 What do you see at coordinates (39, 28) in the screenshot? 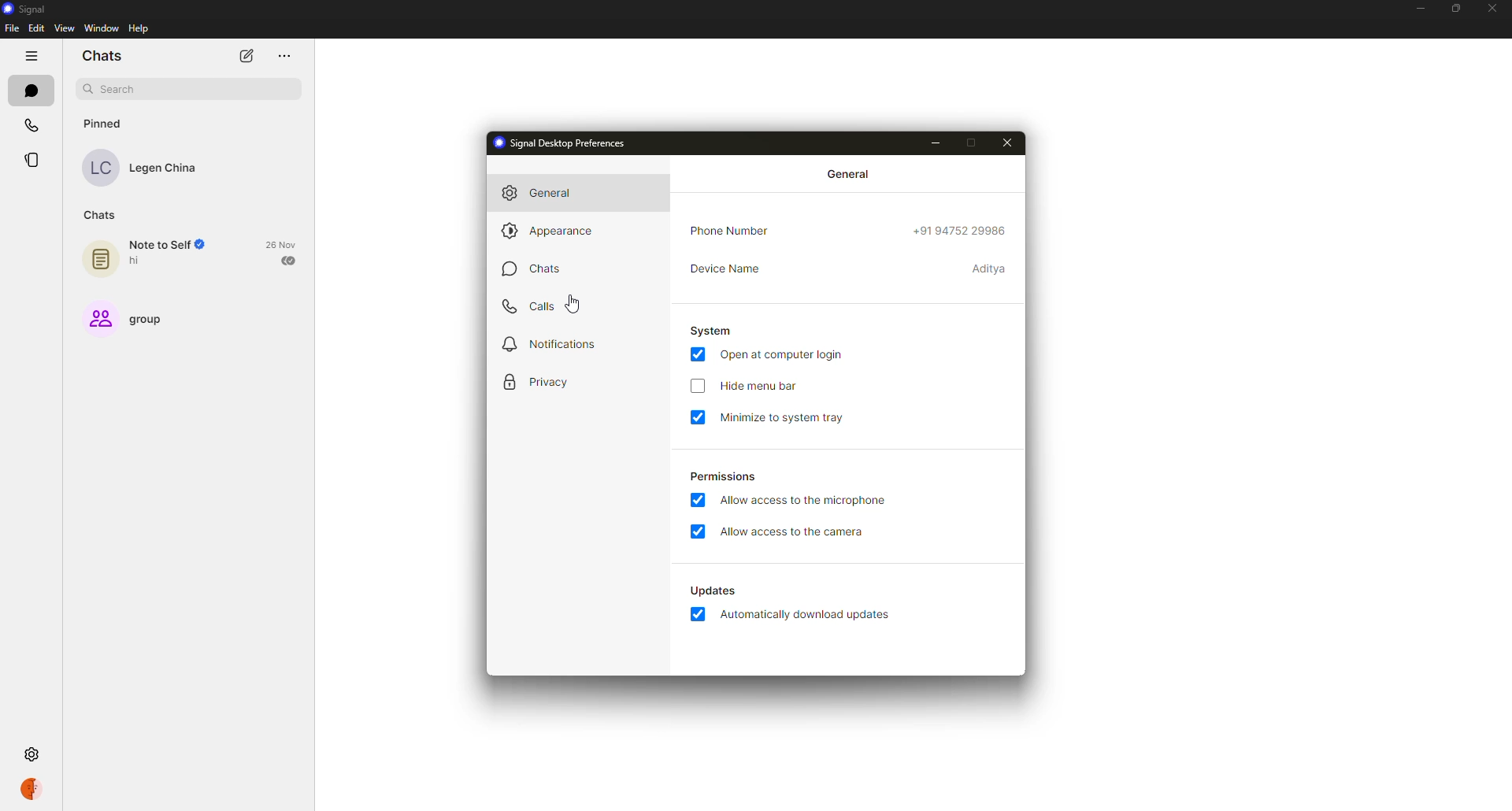
I see `edit` at bounding box center [39, 28].